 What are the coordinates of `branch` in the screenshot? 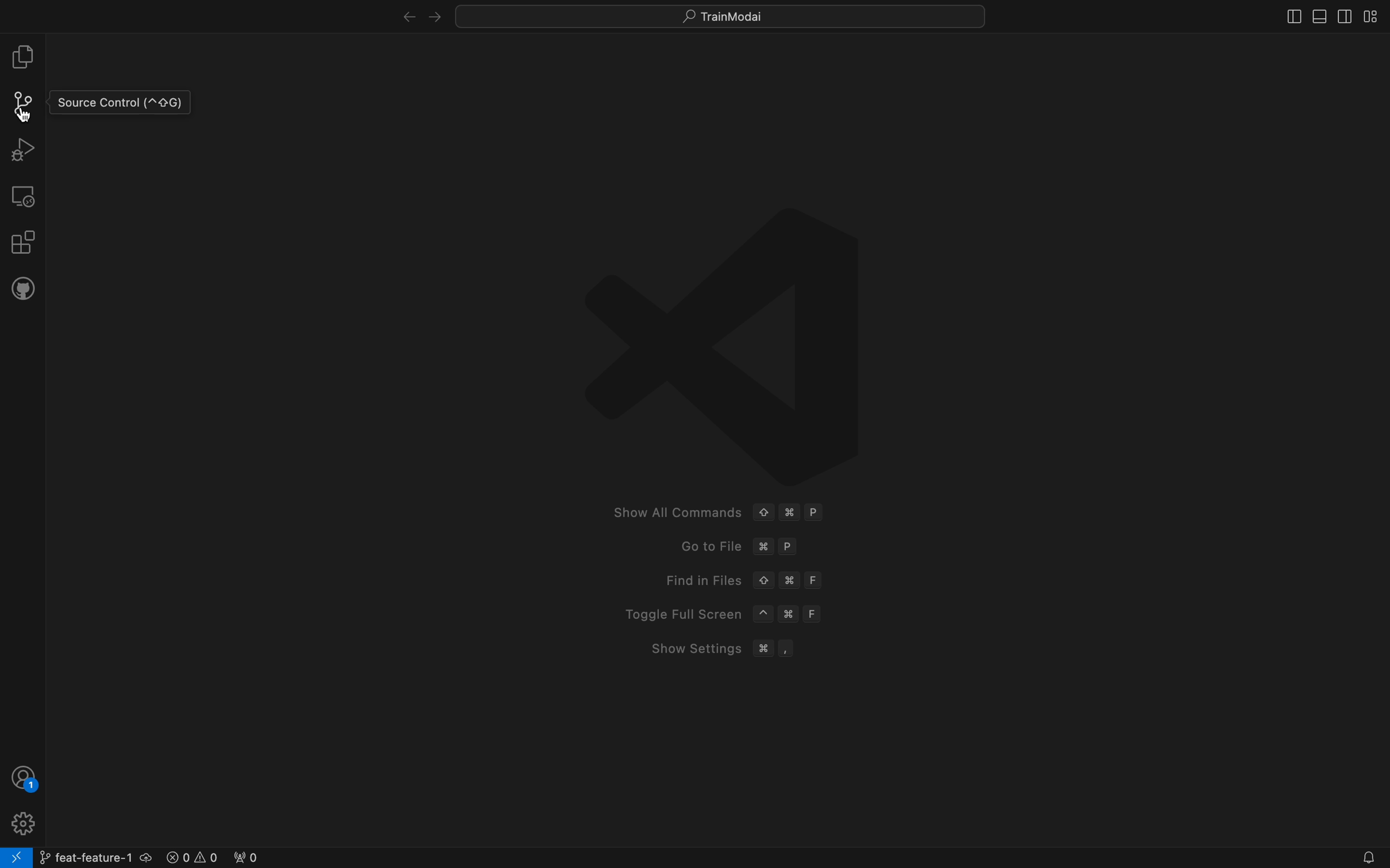 It's located at (94, 855).